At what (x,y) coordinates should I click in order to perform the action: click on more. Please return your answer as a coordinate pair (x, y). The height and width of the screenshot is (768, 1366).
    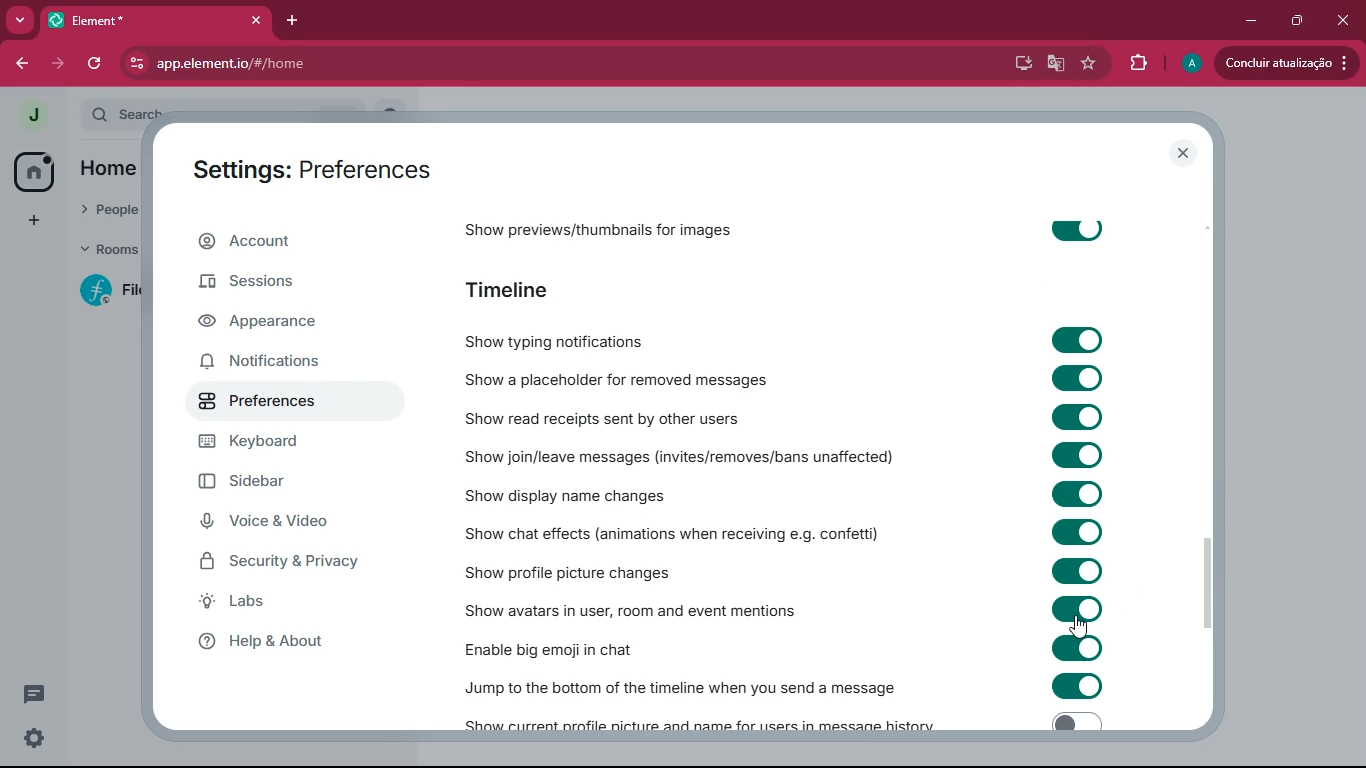
    Looking at the image, I should click on (19, 20).